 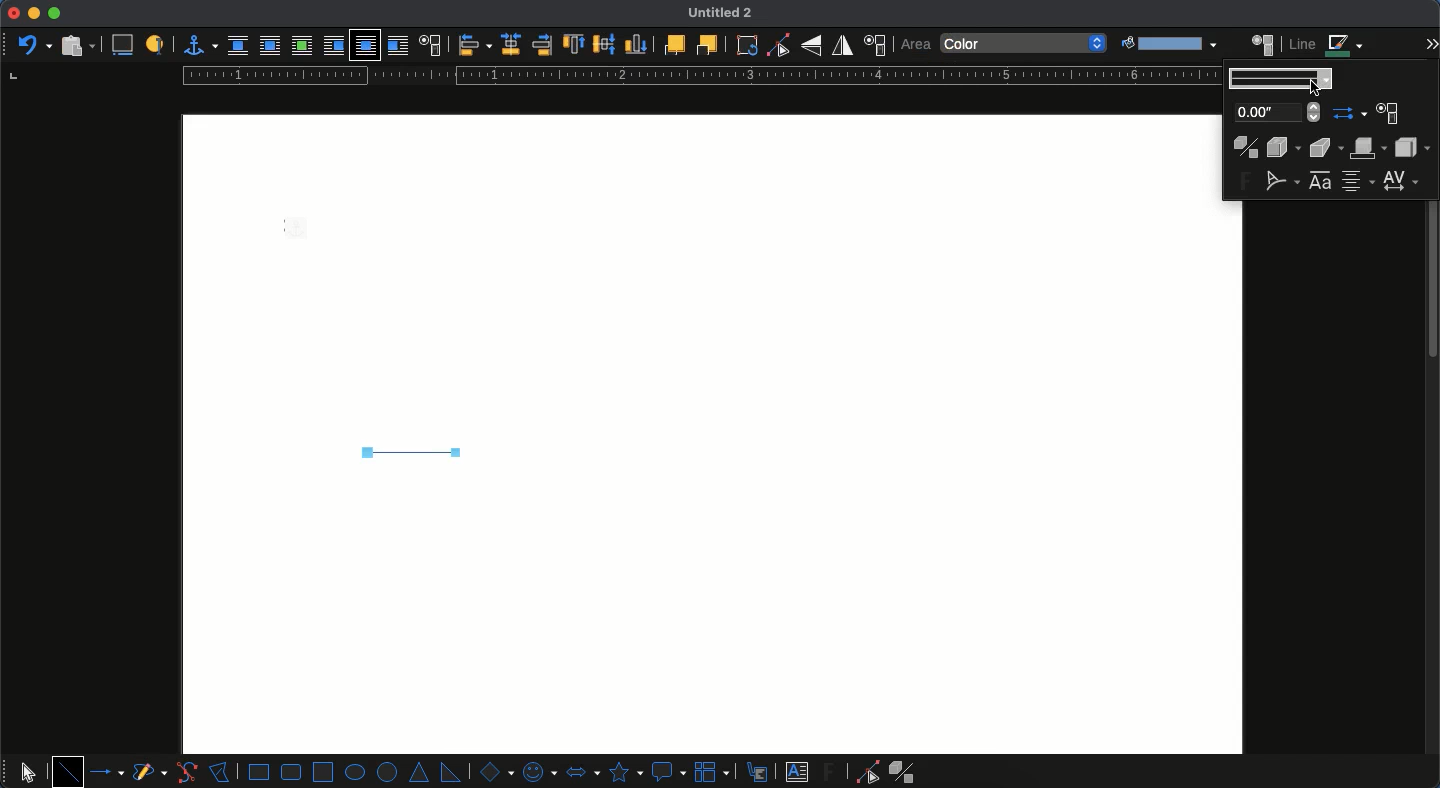 I want to click on start and end arrow heads, so click(x=1349, y=113).